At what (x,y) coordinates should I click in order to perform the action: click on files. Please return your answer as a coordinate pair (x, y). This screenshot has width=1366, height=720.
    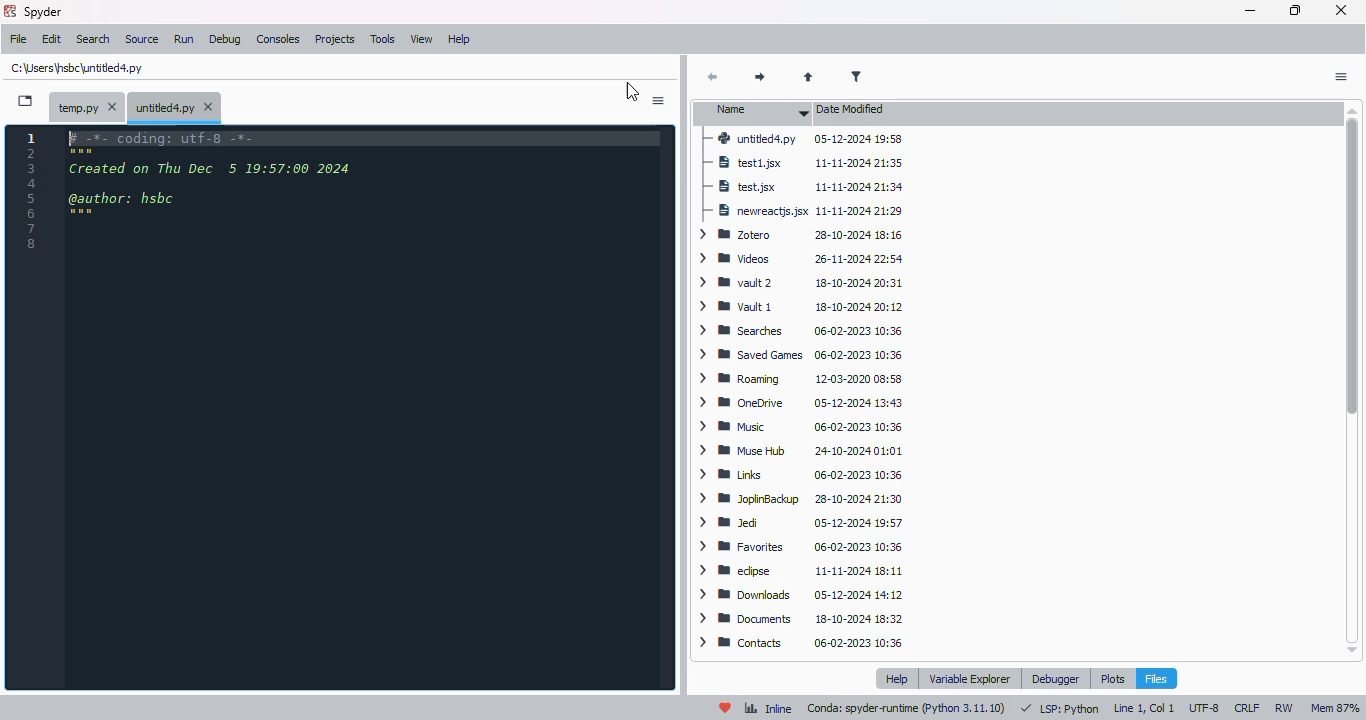
    Looking at the image, I should click on (1156, 678).